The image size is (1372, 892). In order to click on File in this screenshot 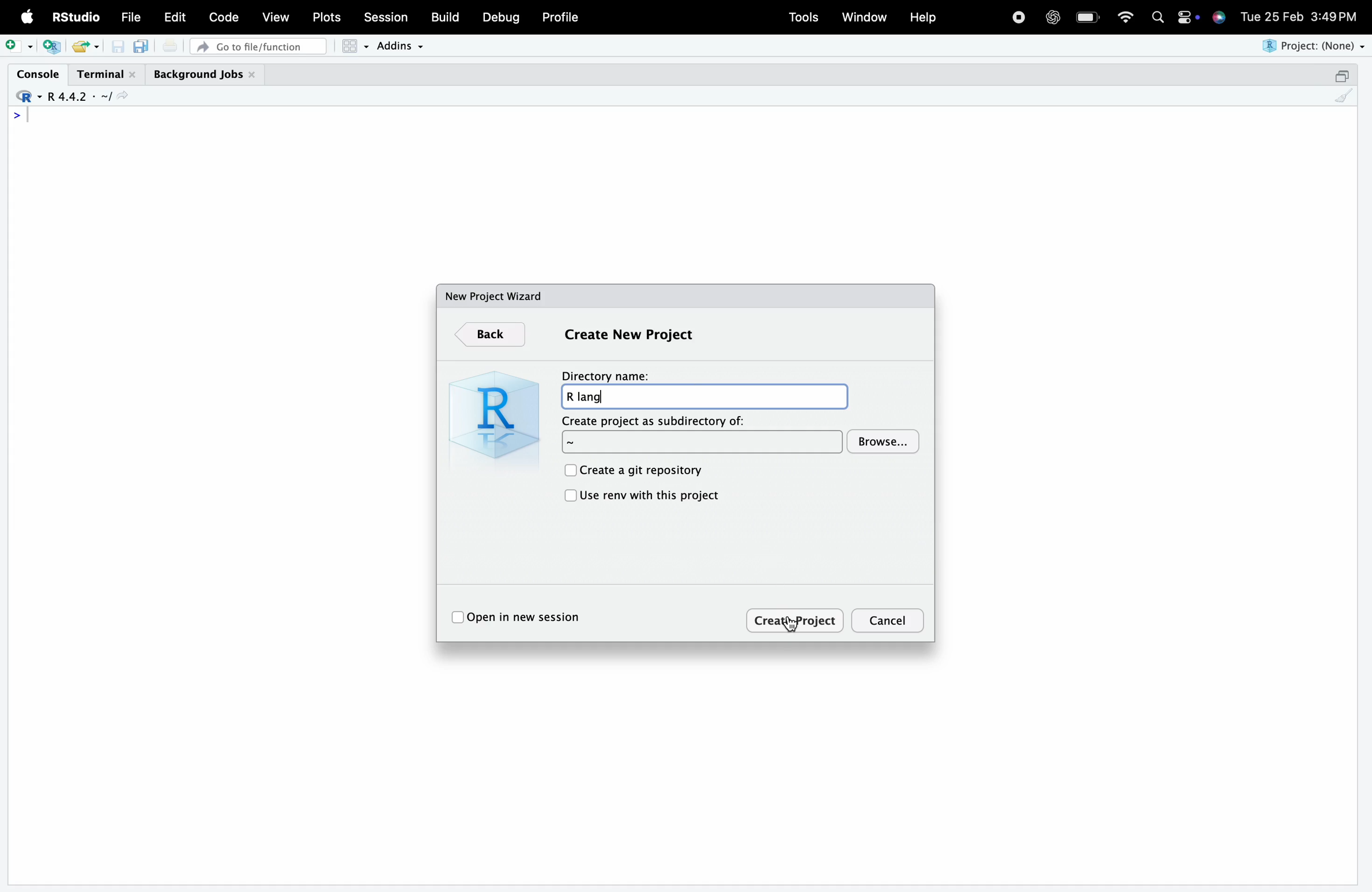, I will do `click(131, 17)`.